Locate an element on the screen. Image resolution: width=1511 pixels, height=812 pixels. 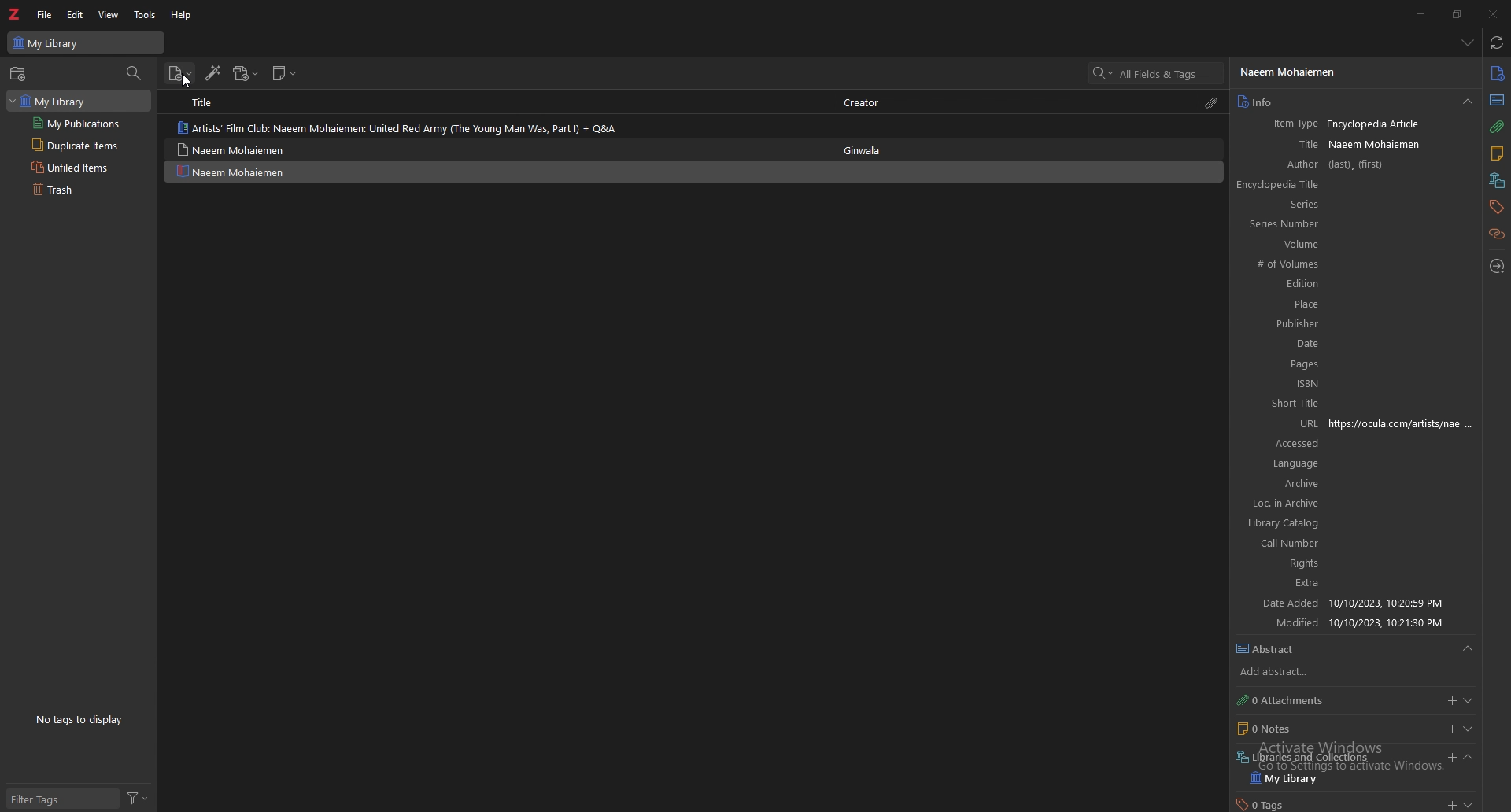
ISBN is located at coordinates (1278, 383).